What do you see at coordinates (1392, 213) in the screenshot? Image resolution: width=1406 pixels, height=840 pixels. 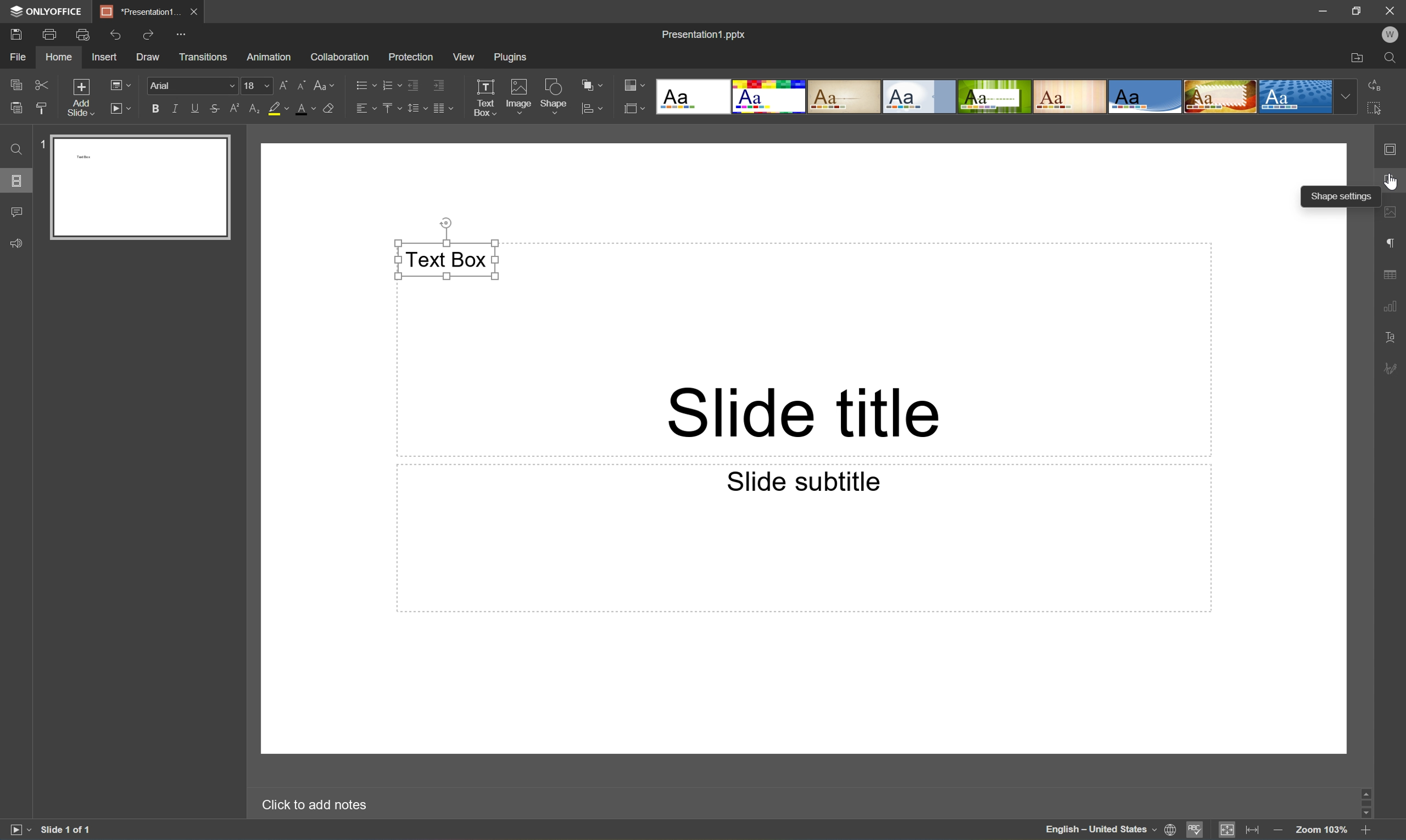 I see `Image settings` at bounding box center [1392, 213].